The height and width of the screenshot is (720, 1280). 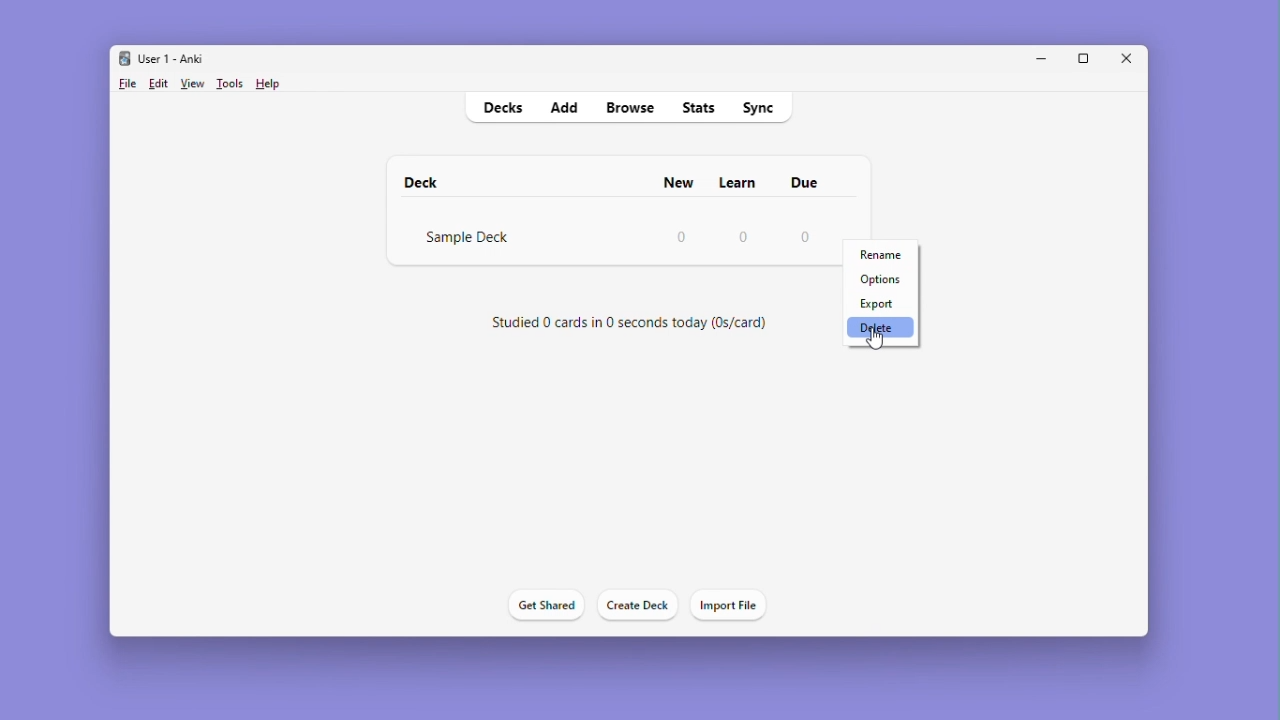 I want to click on due, so click(x=806, y=182).